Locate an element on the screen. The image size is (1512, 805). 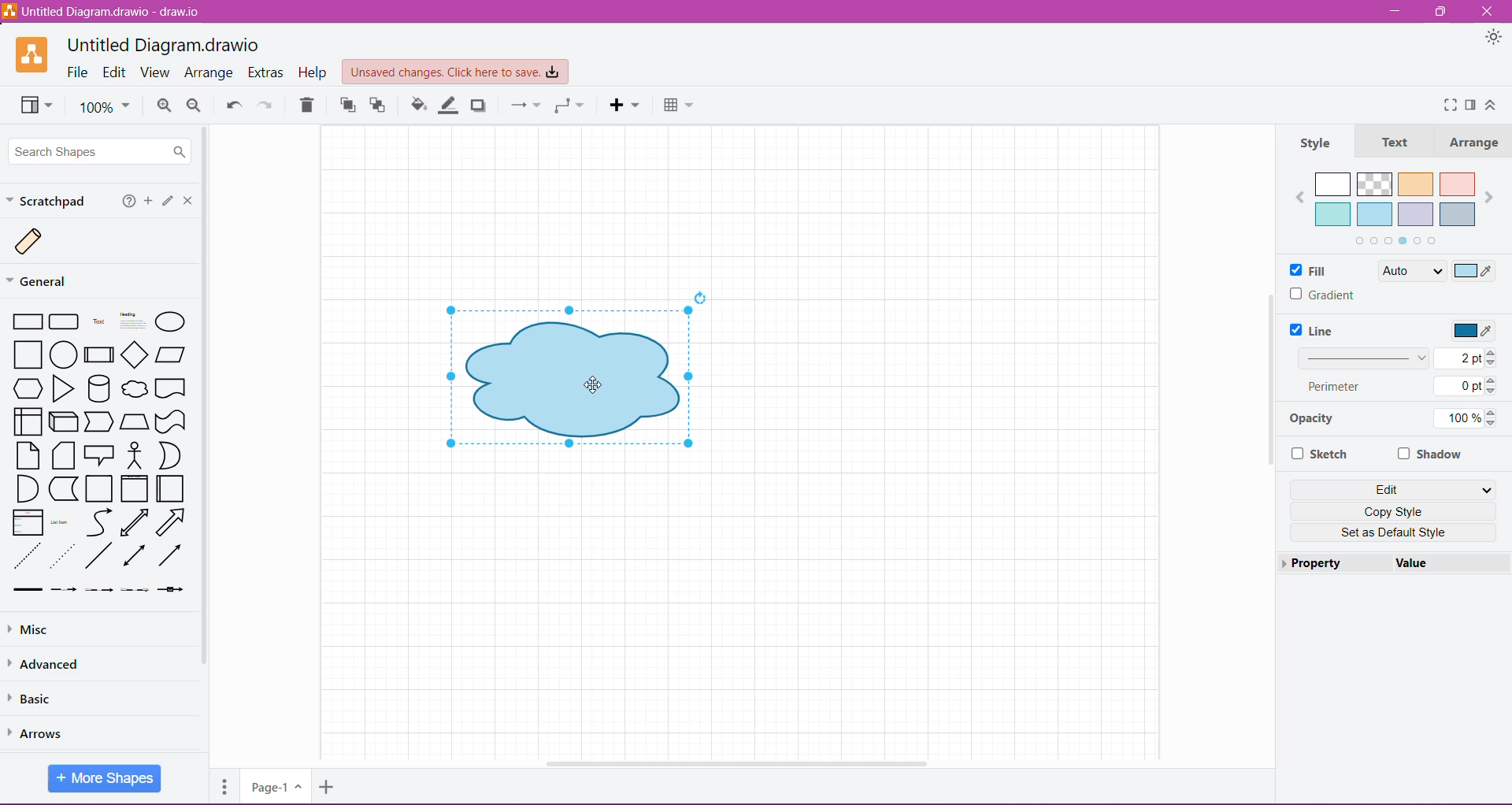
Arrows is located at coordinates (40, 734).